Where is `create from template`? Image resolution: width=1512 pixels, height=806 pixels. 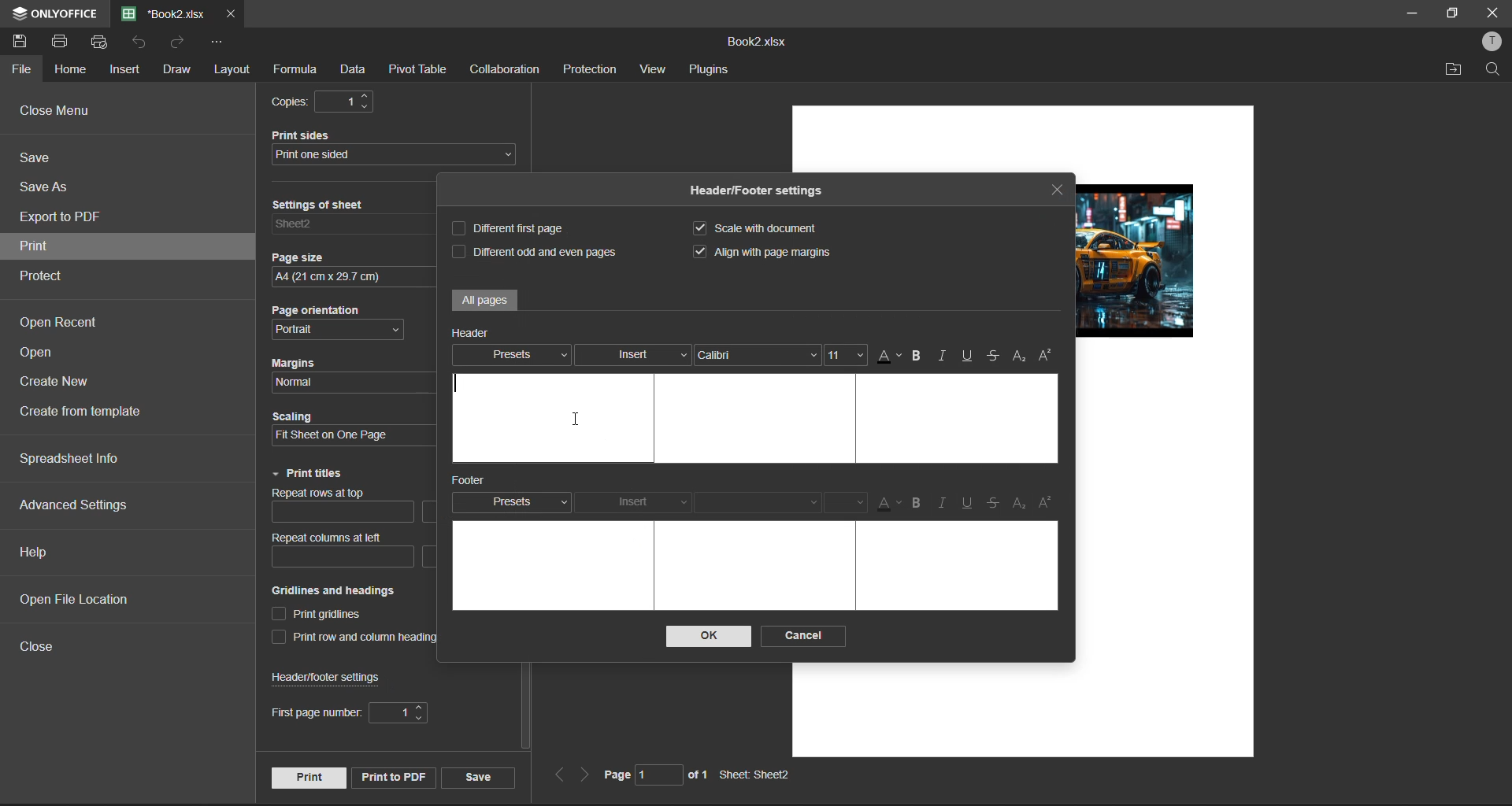
create from template is located at coordinates (89, 412).